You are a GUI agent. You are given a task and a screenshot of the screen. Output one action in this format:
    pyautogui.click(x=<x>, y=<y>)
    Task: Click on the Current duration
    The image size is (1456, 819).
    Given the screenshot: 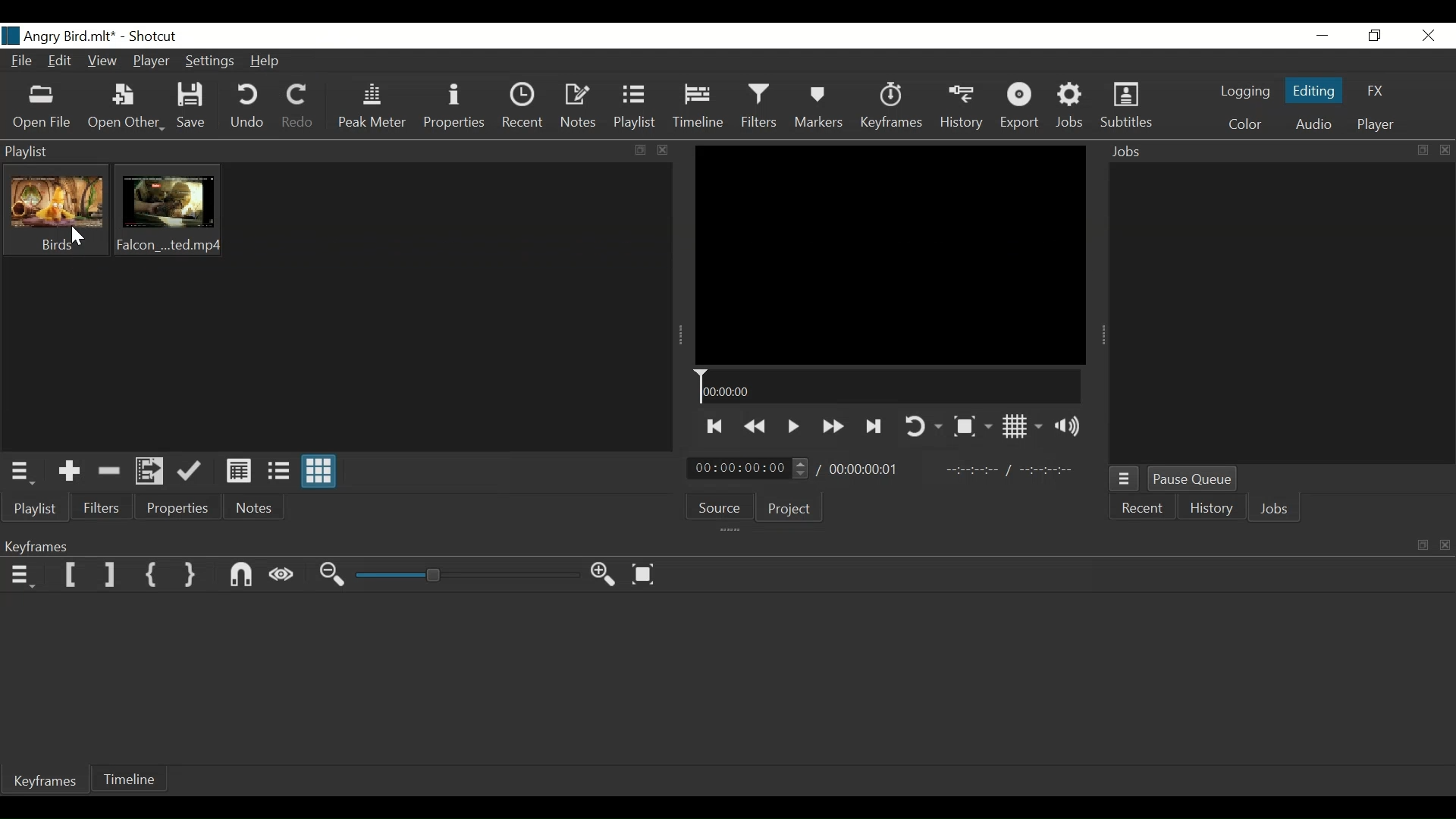 What is the action you would take?
    pyautogui.click(x=750, y=469)
    